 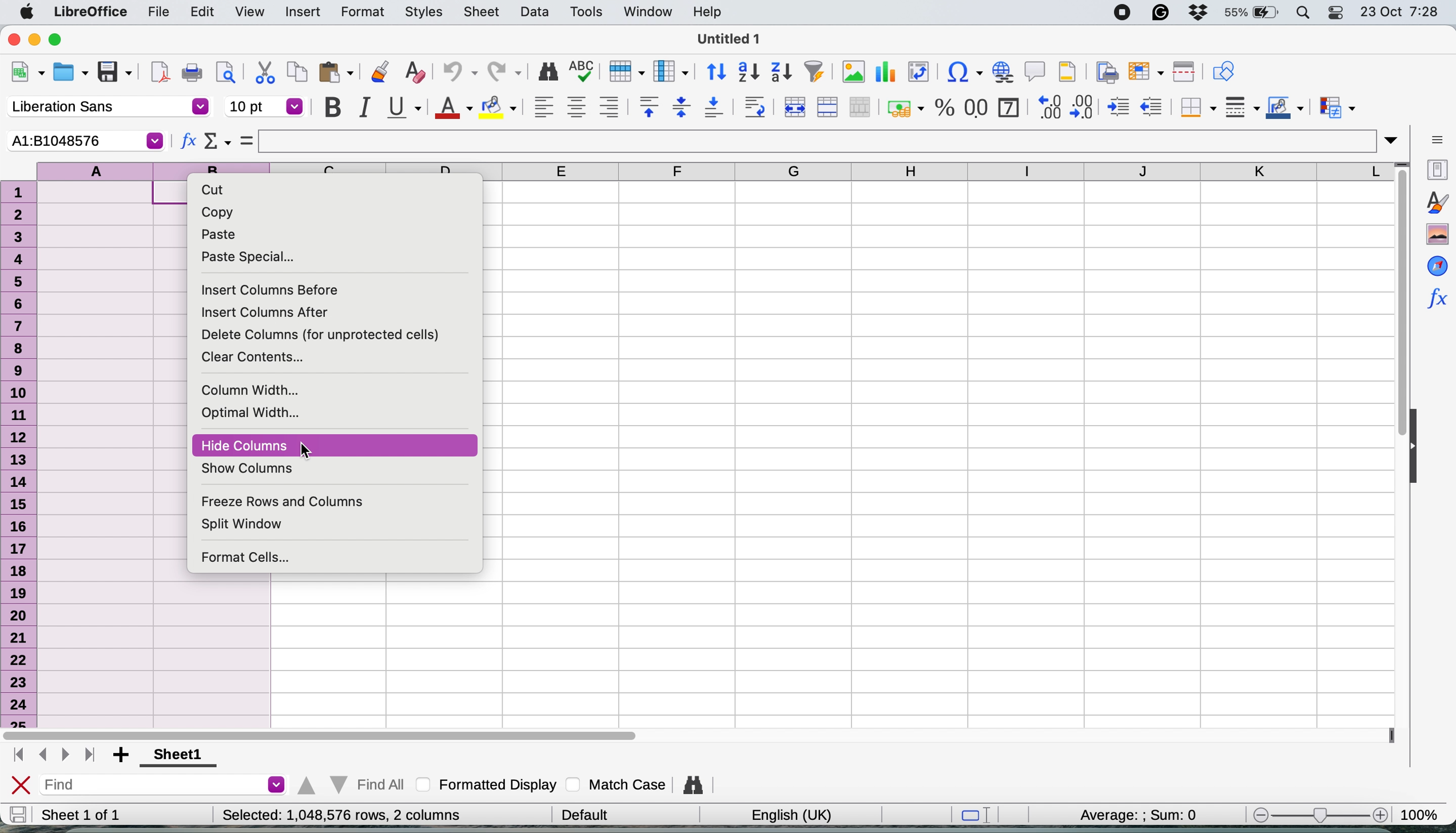 I want to click on export as pdf, so click(x=161, y=74).